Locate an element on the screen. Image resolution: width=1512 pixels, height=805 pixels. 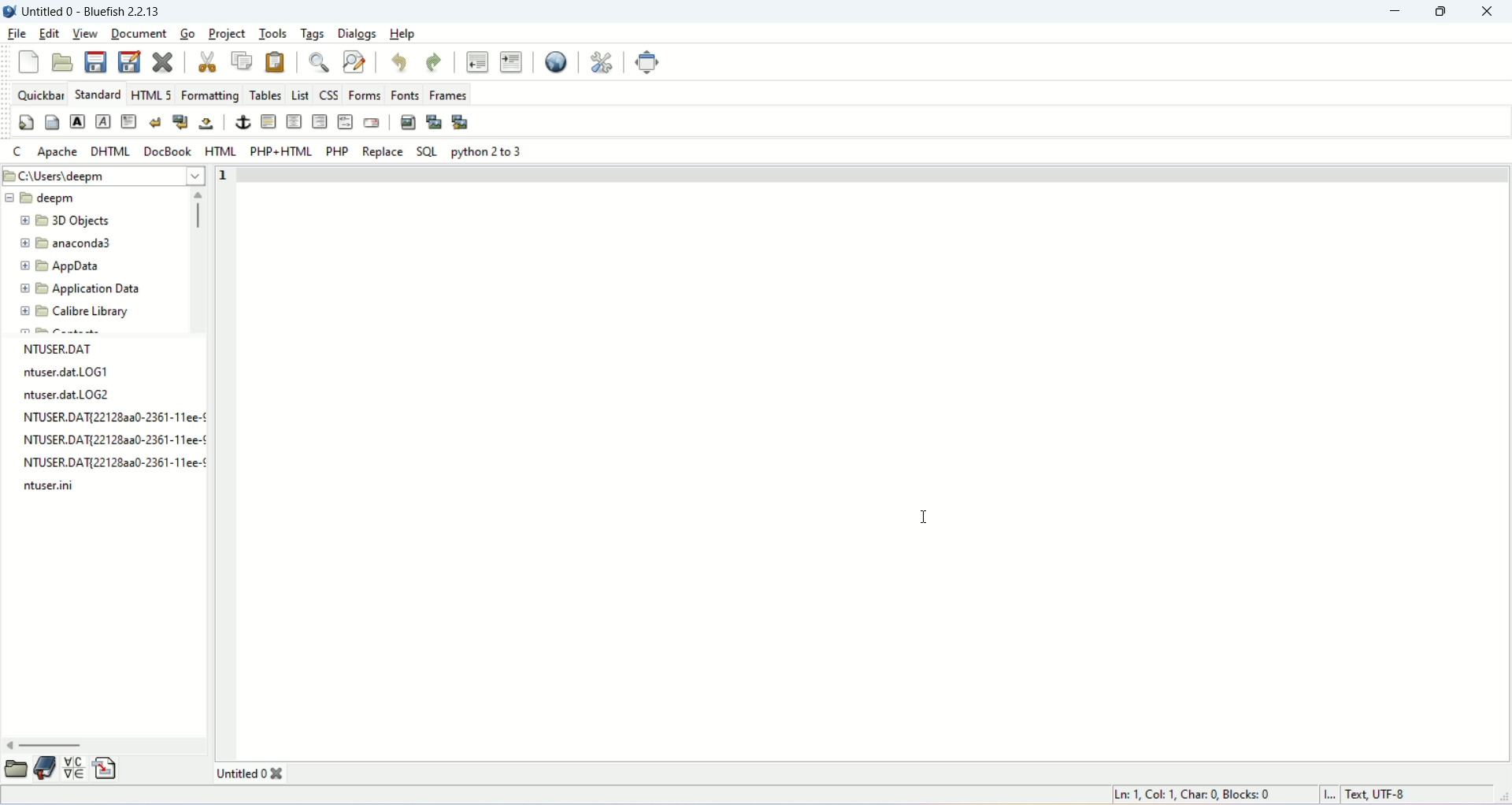
emphasis is located at coordinates (101, 122).